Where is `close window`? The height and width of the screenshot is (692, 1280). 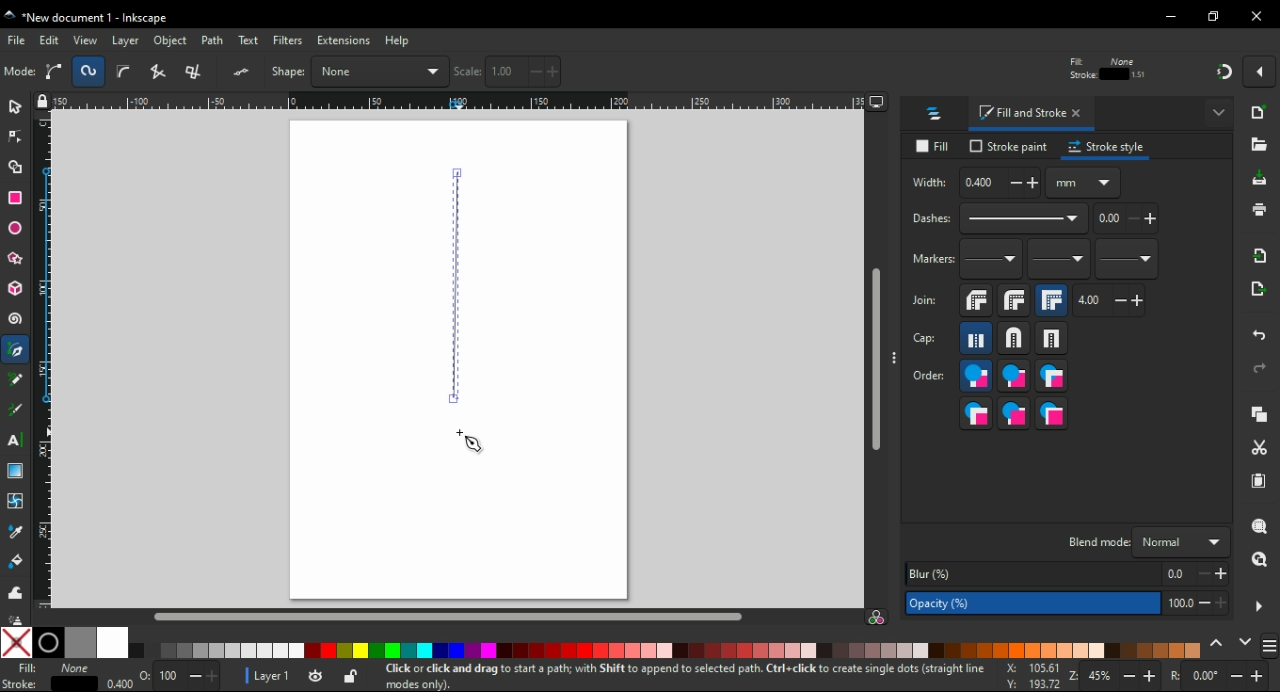
close window is located at coordinates (1257, 16).